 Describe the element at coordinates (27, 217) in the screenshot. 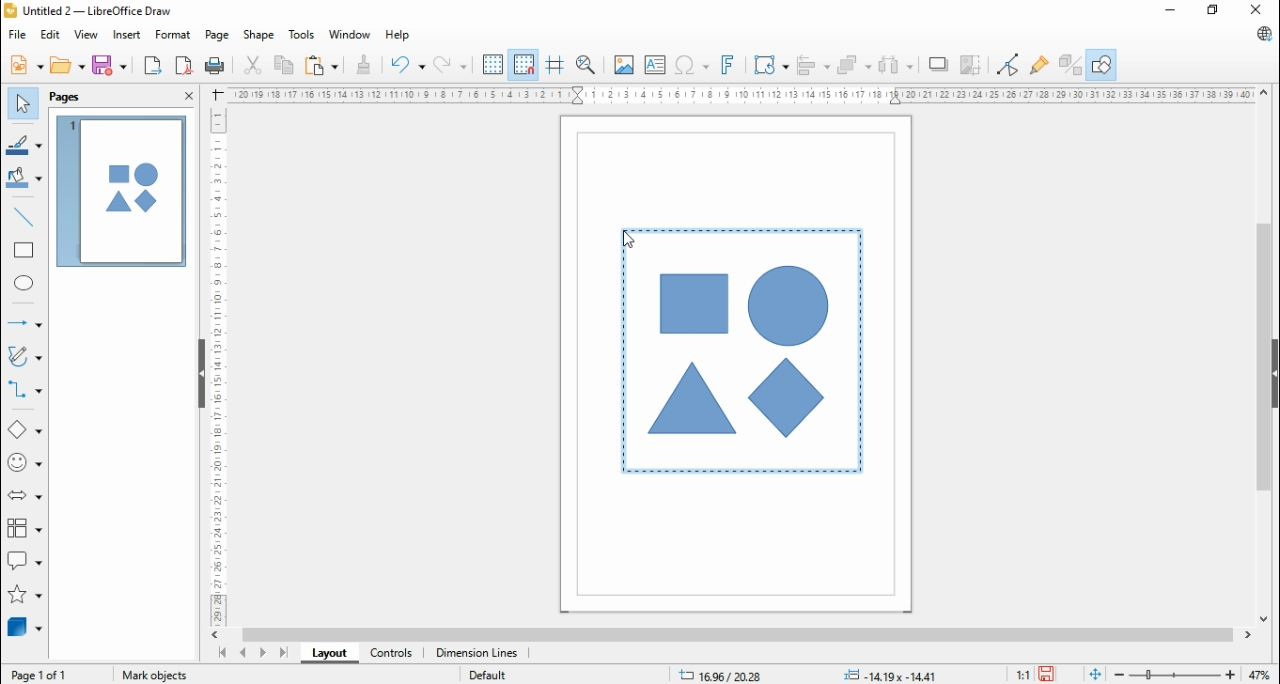

I see `insert line` at that location.